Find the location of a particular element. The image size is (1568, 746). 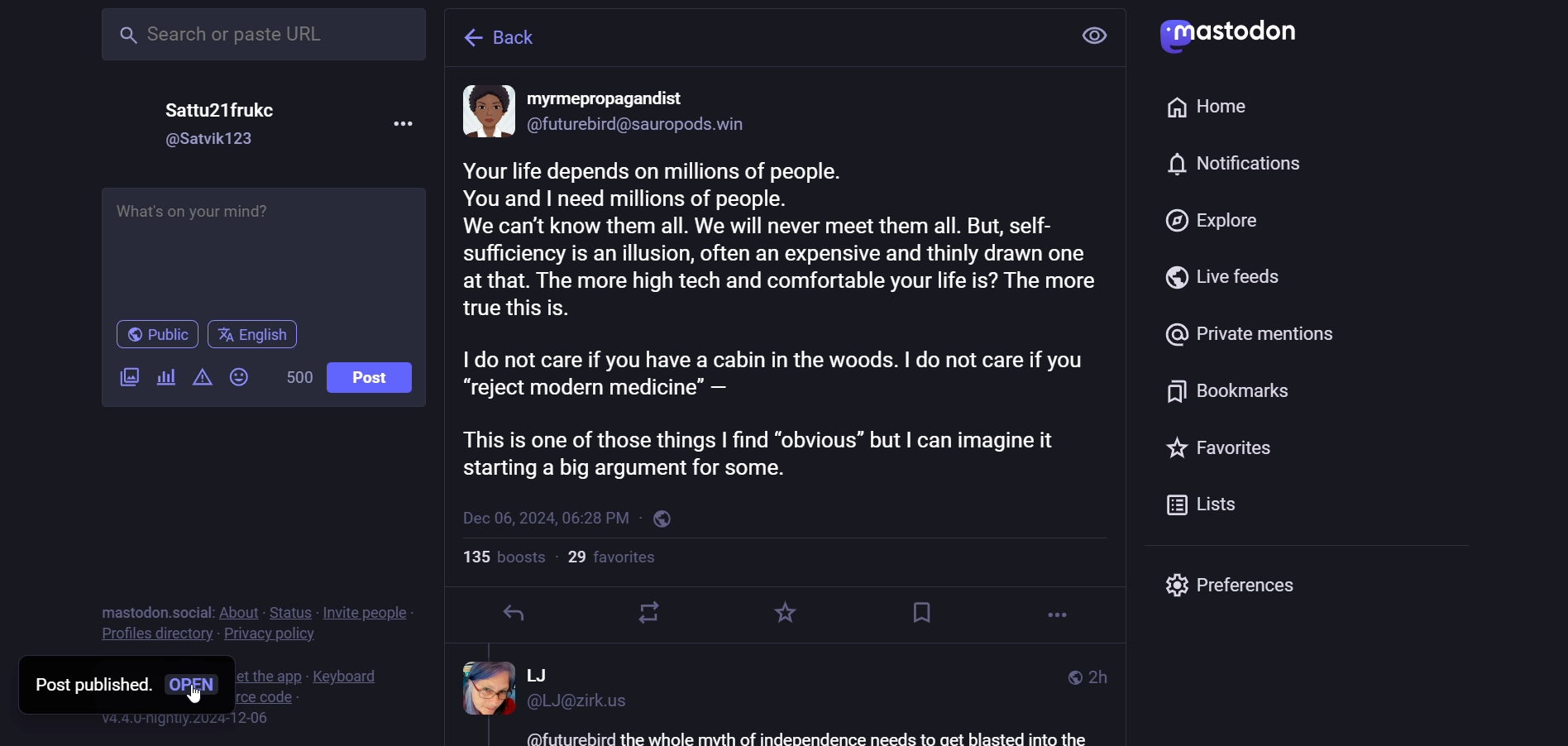

mastodon social is located at coordinates (152, 611).